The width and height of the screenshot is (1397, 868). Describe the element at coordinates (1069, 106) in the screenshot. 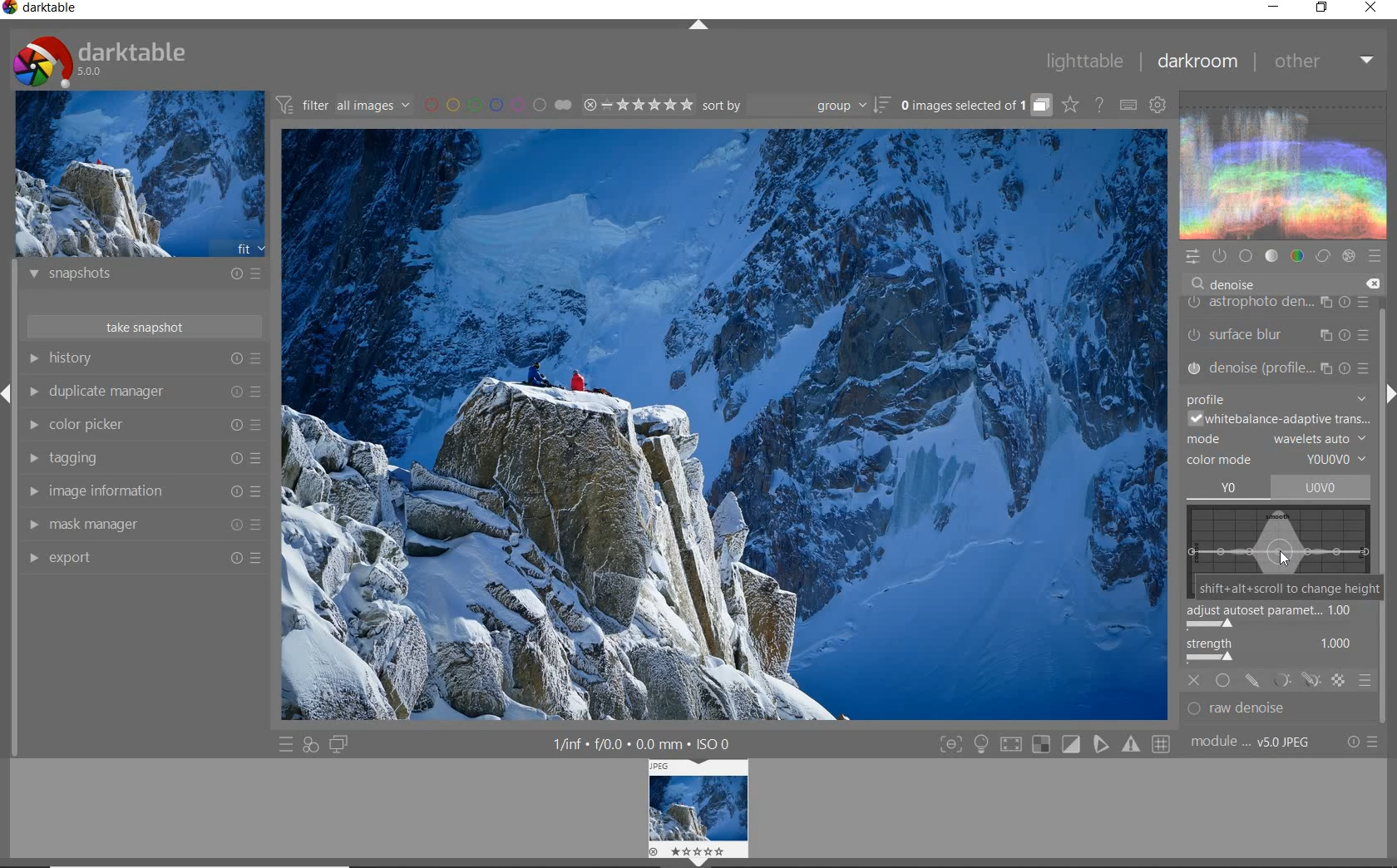

I see `click to change overlays on thumbnails` at that location.